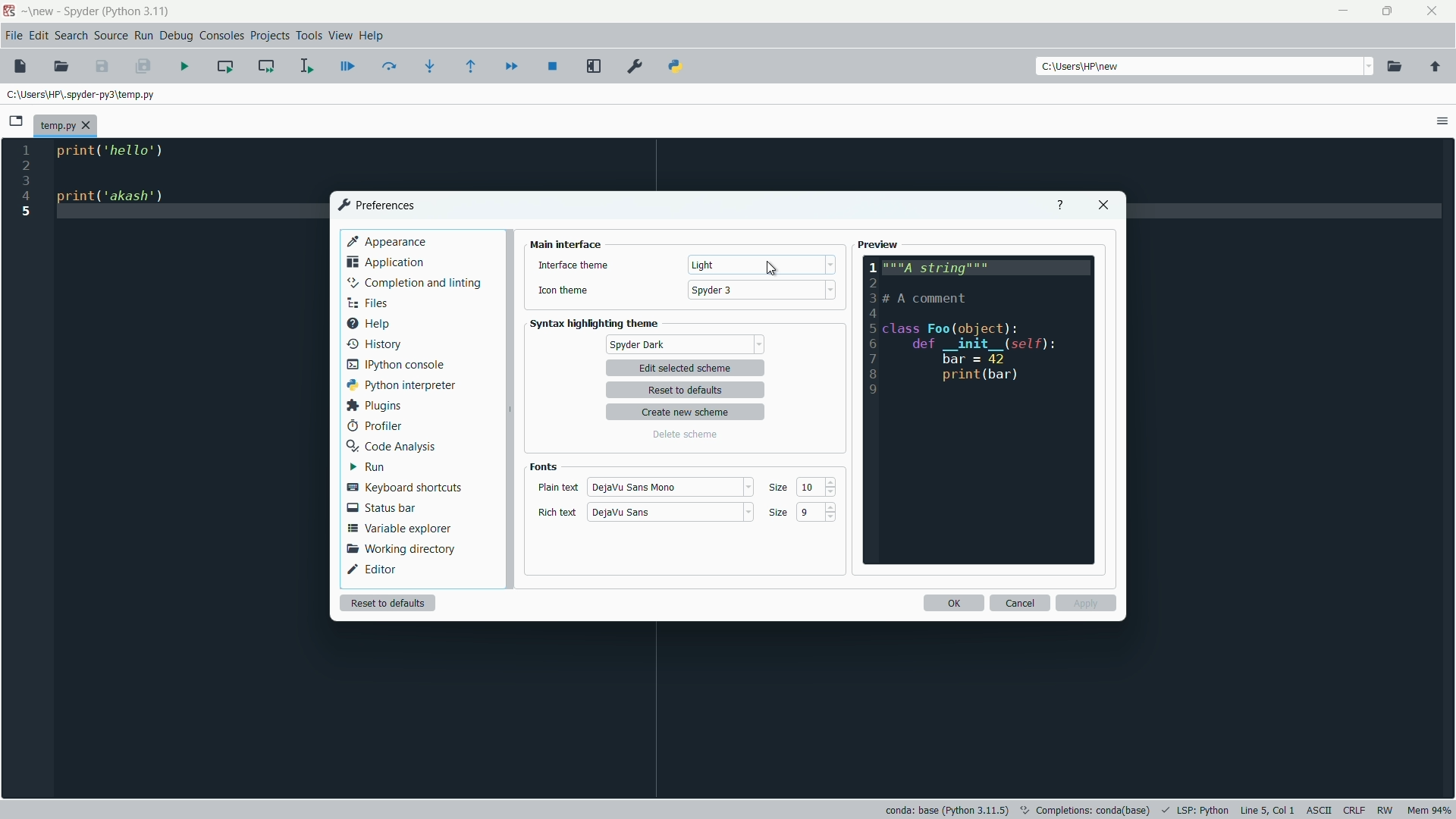 The height and width of the screenshot is (819, 1456). What do you see at coordinates (639, 486) in the screenshot?
I see `plain text style` at bounding box center [639, 486].